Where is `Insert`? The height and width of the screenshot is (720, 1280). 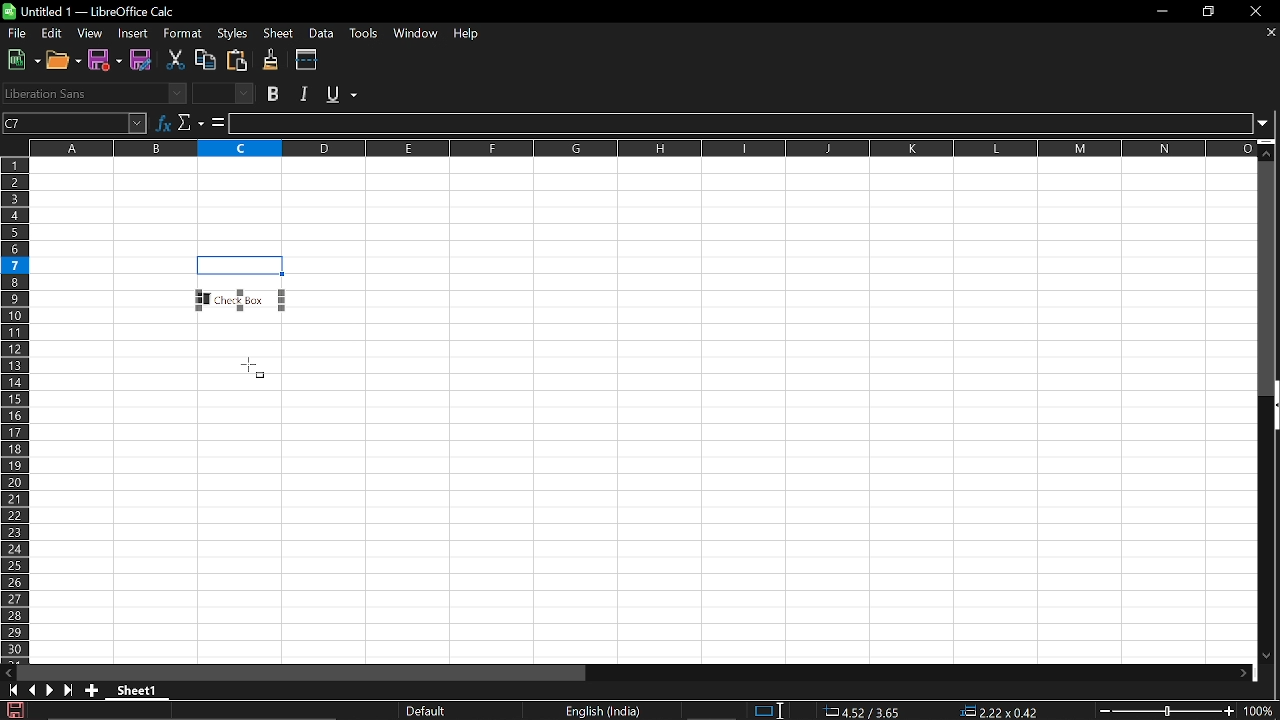
Insert is located at coordinates (130, 34).